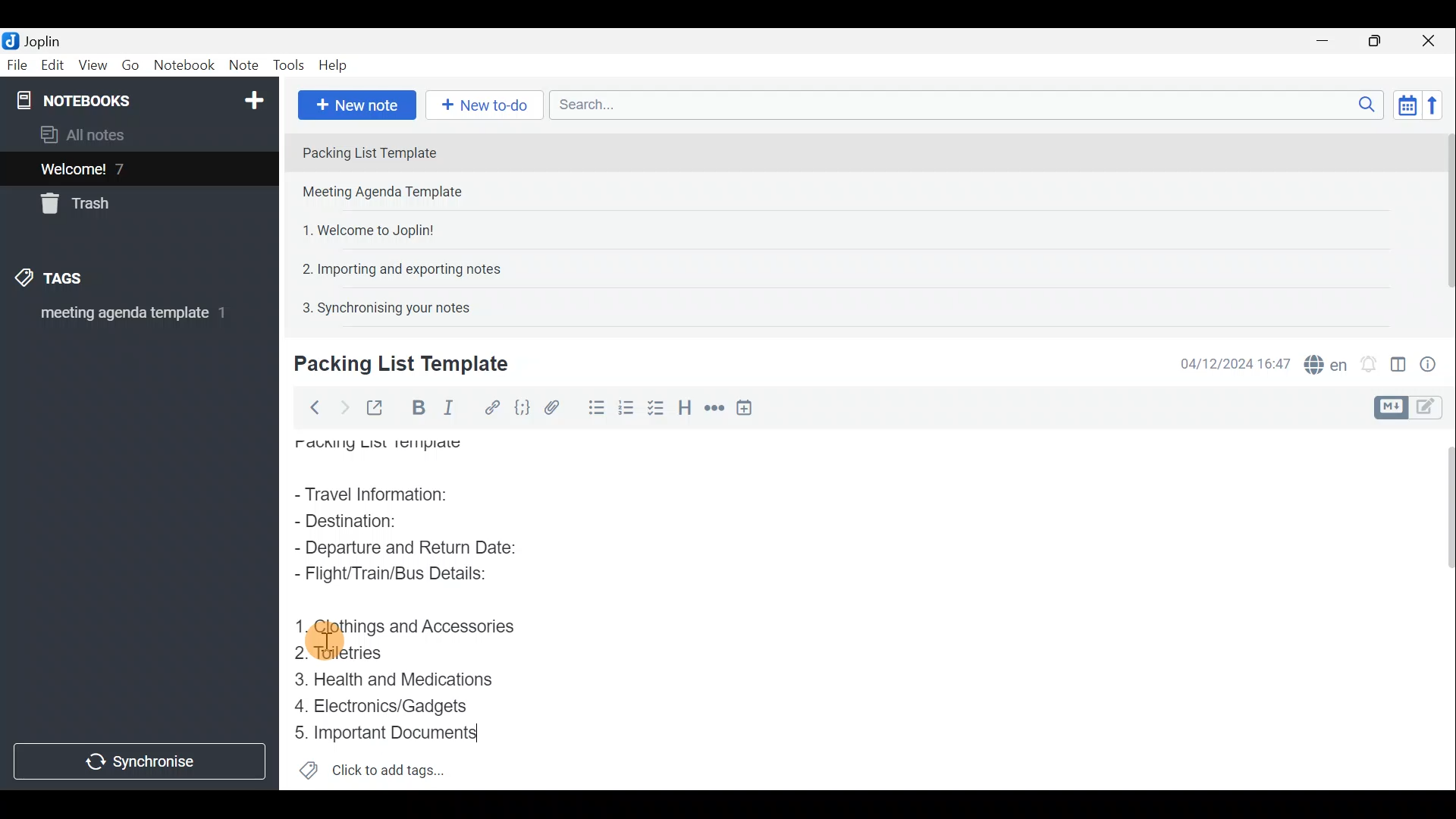 The image size is (1456, 819). I want to click on cursor, so click(328, 642).